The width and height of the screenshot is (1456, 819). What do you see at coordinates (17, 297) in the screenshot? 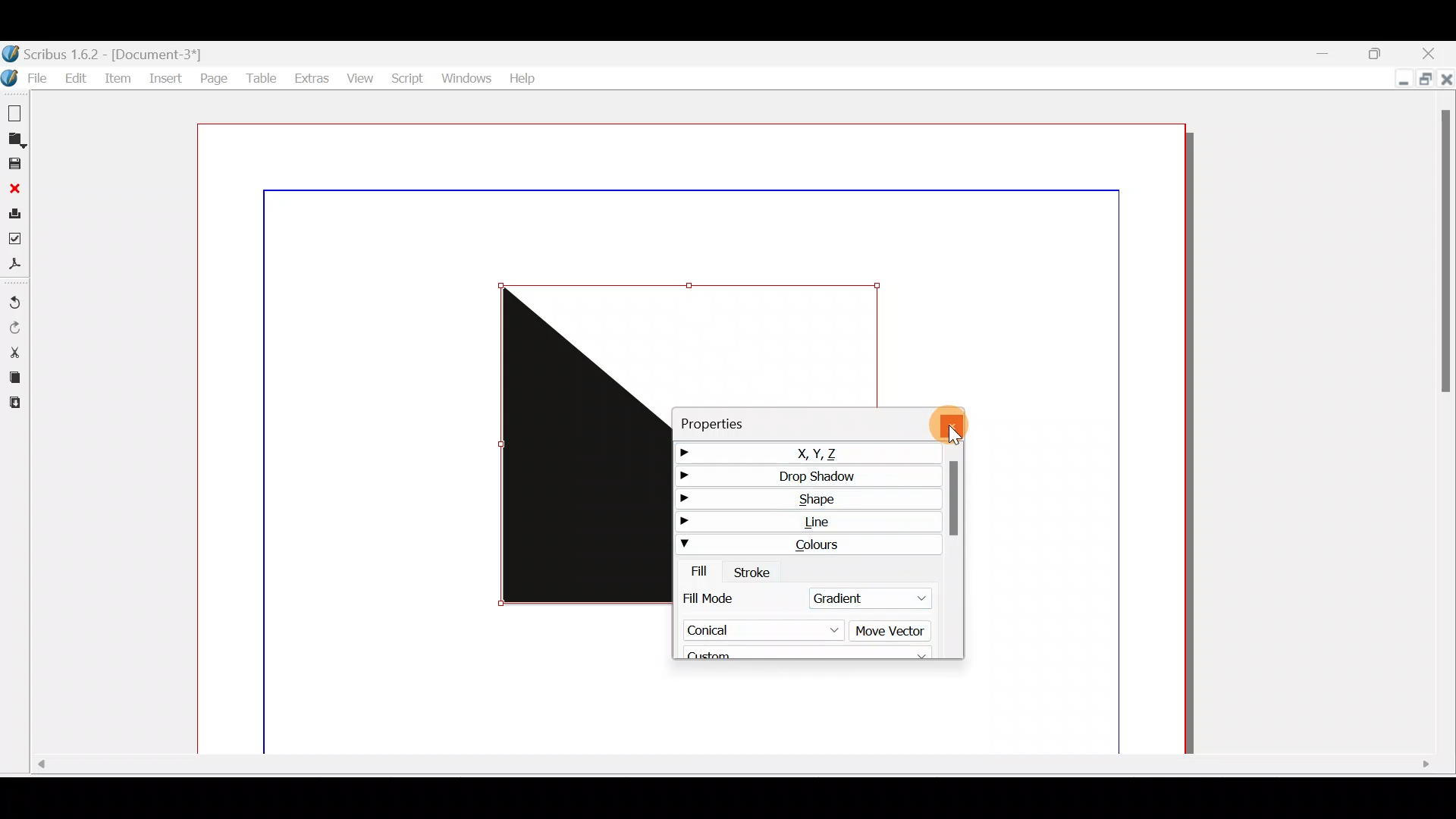
I see `Undo` at bounding box center [17, 297].